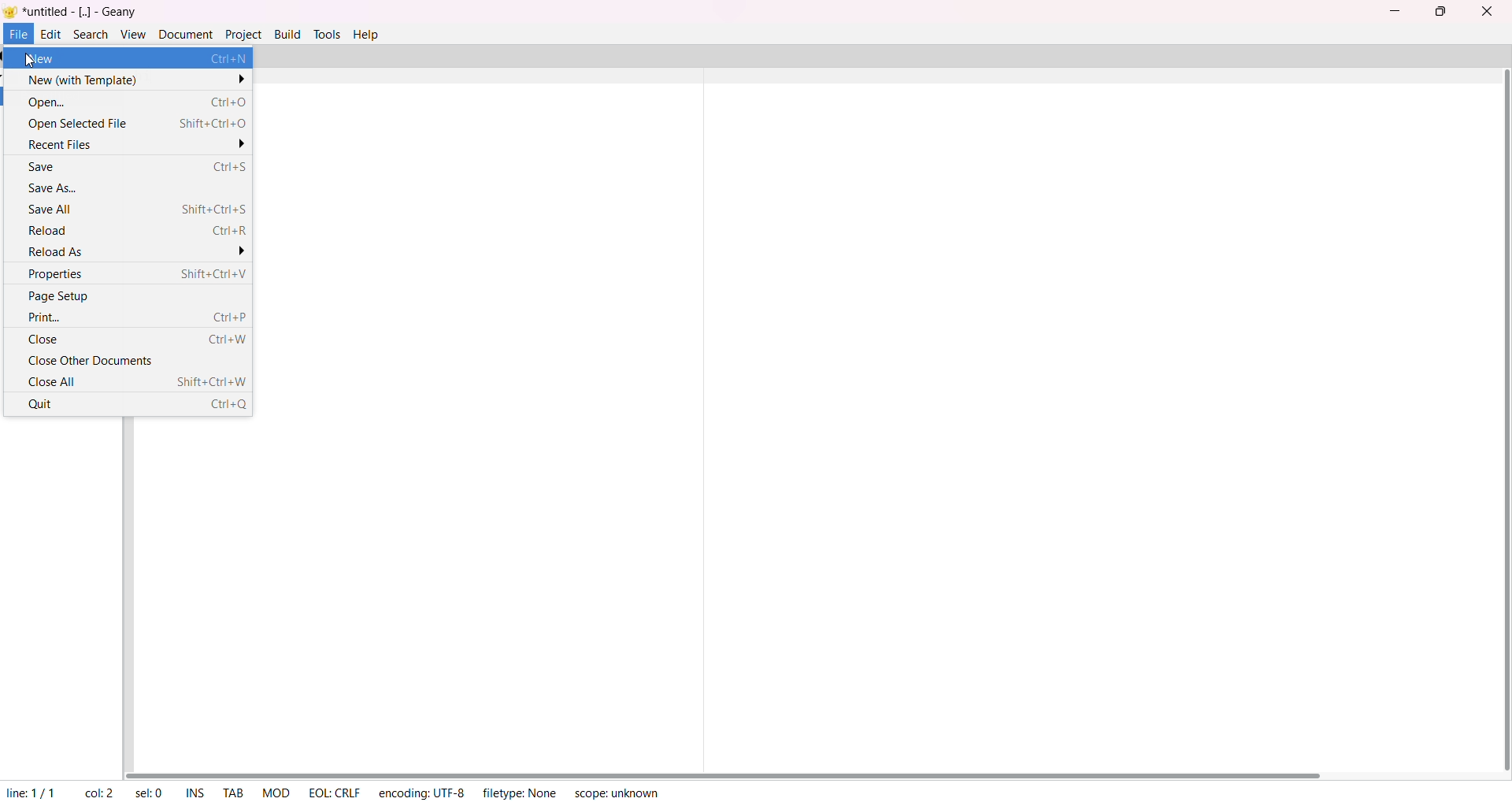 The width and height of the screenshot is (1512, 802). I want to click on maximize, so click(1440, 12).